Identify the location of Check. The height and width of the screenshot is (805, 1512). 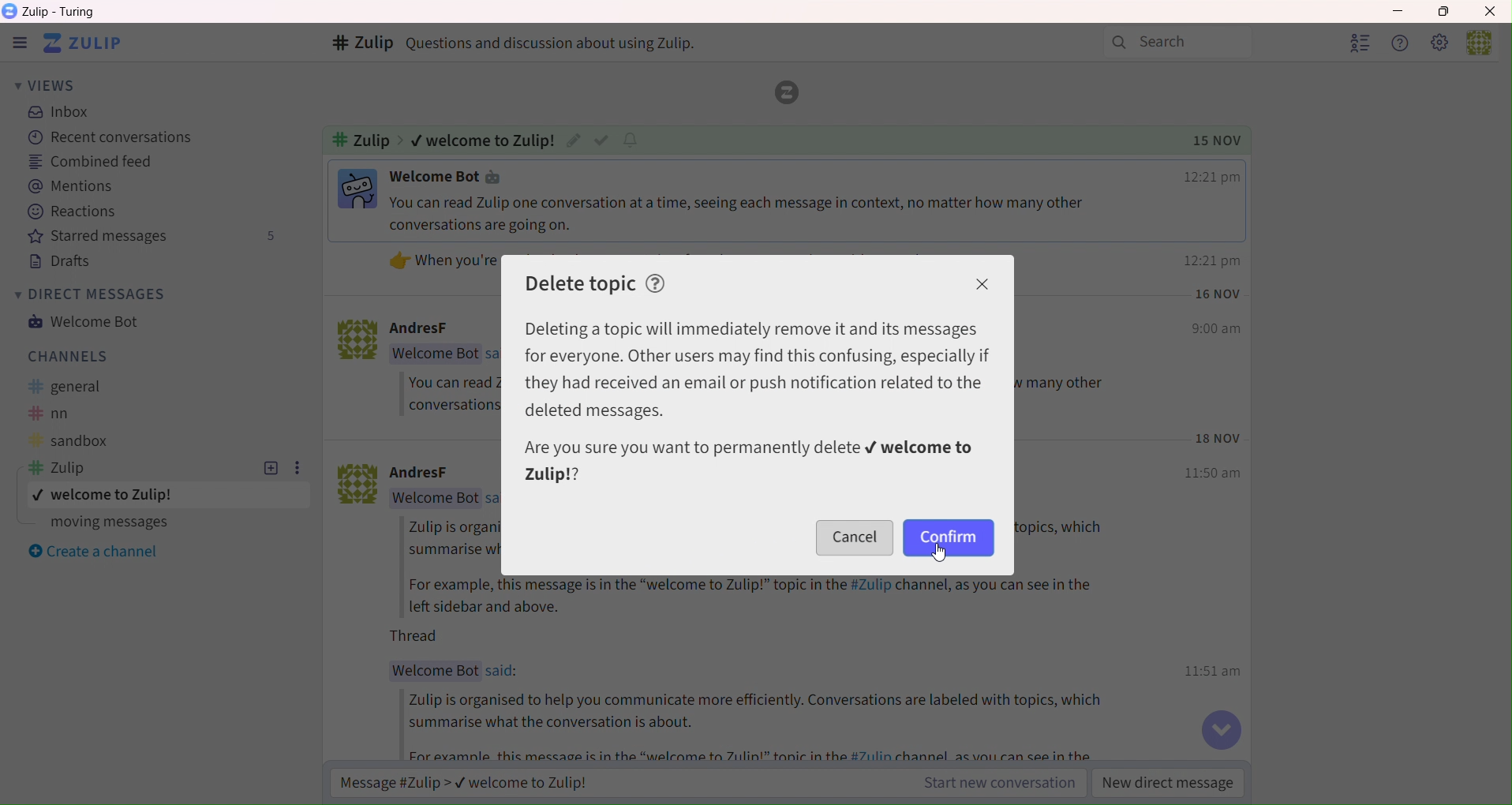
(601, 140).